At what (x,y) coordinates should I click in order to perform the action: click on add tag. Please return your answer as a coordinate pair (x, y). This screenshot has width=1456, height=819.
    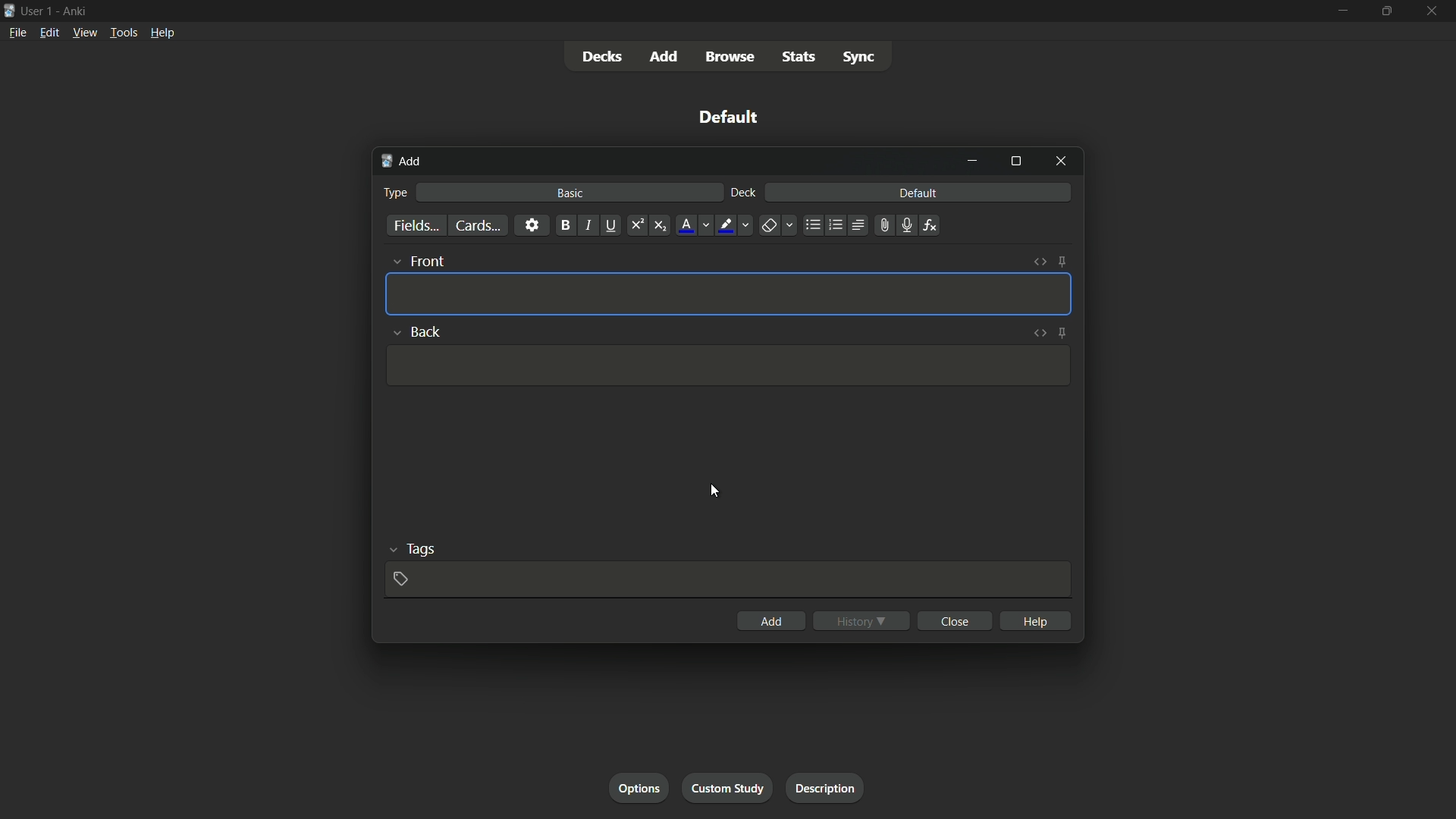
    Looking at the image, I should click on (399, 579).